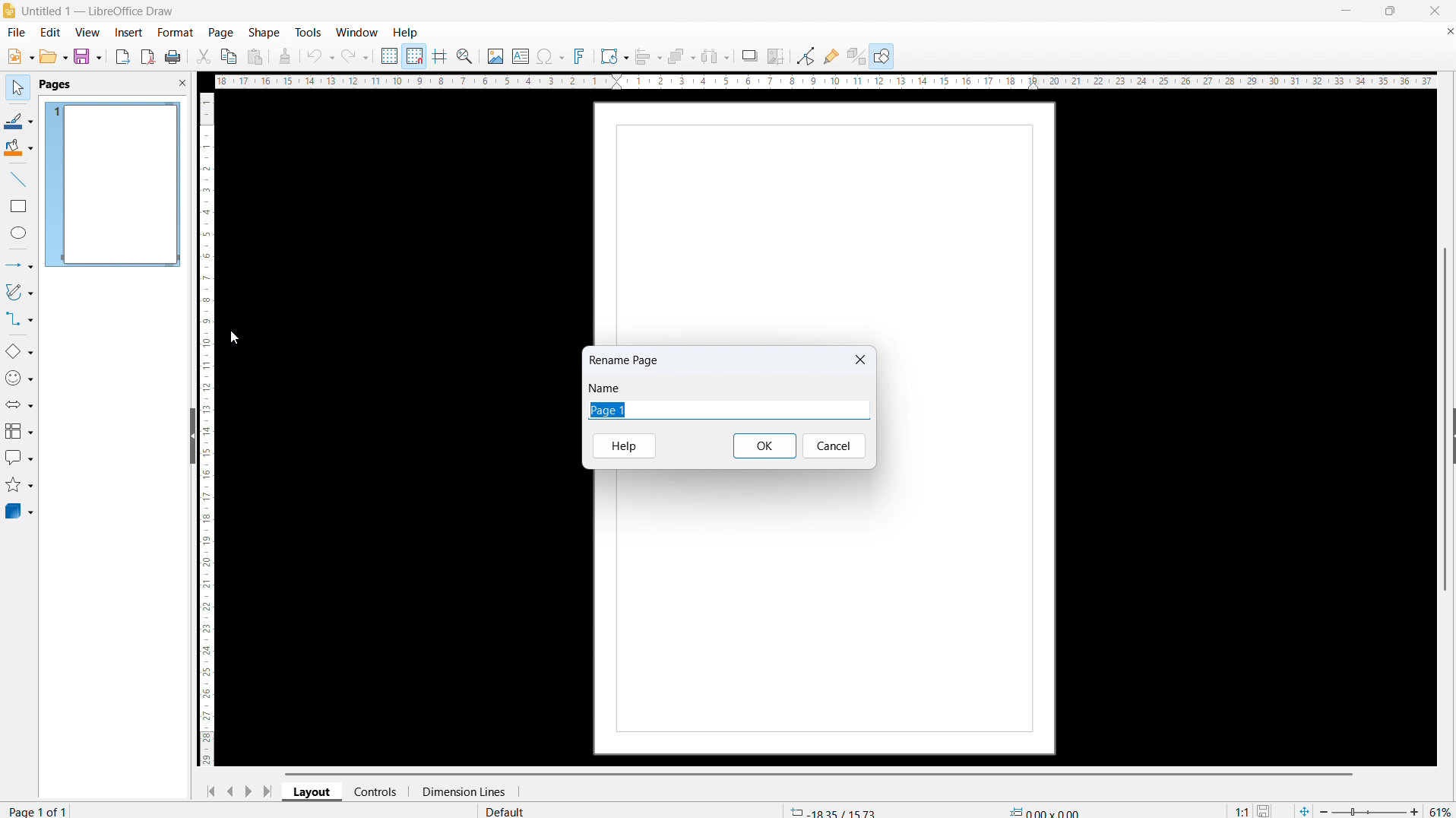 Image resolution: width=1456 pixels, height=818 pixels. What do you see at coordinates (749, 55) in the screenshot?
I see `shadow` at bounding box center [749, 55].